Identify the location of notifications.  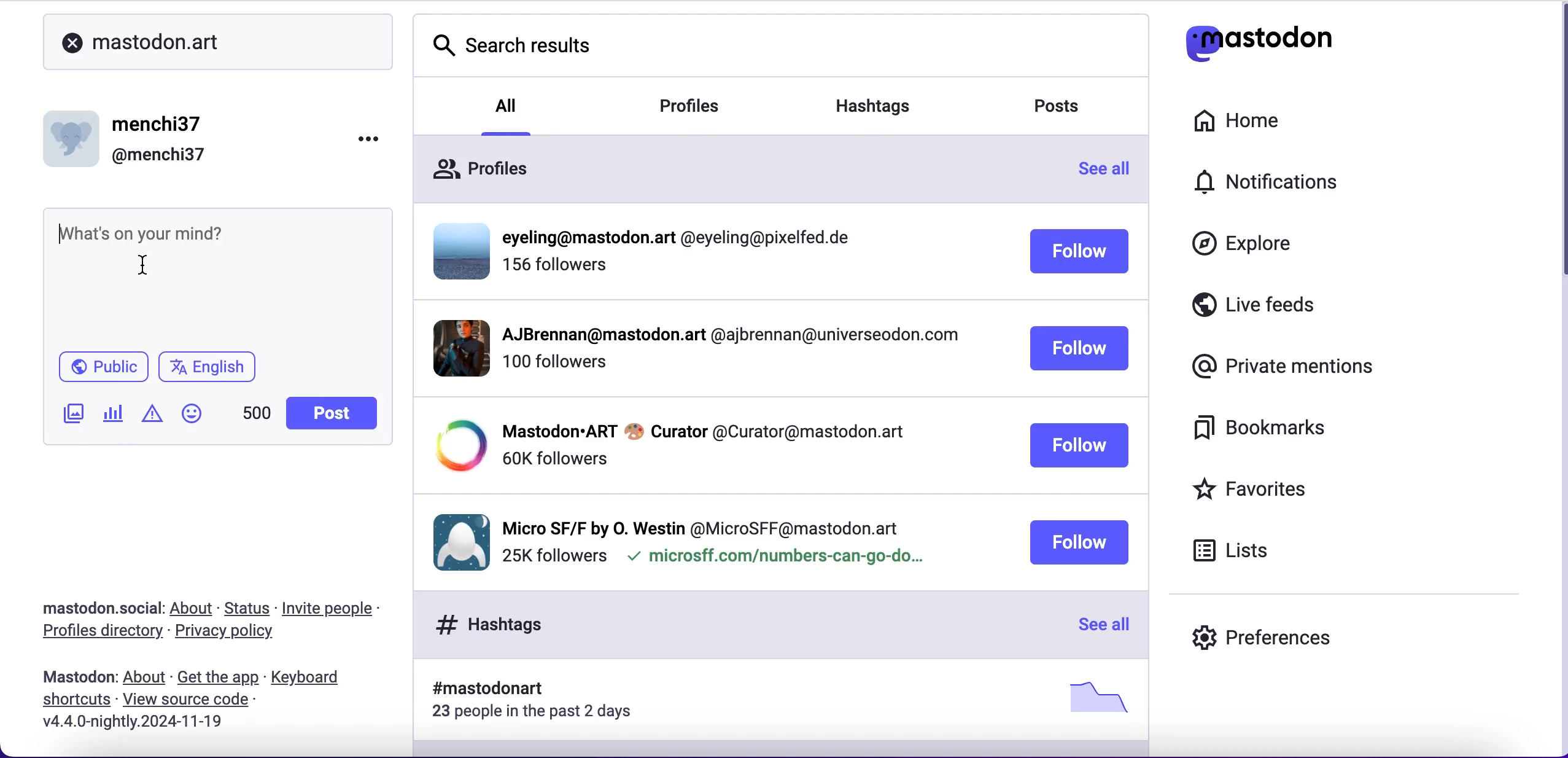
(1275, 181).